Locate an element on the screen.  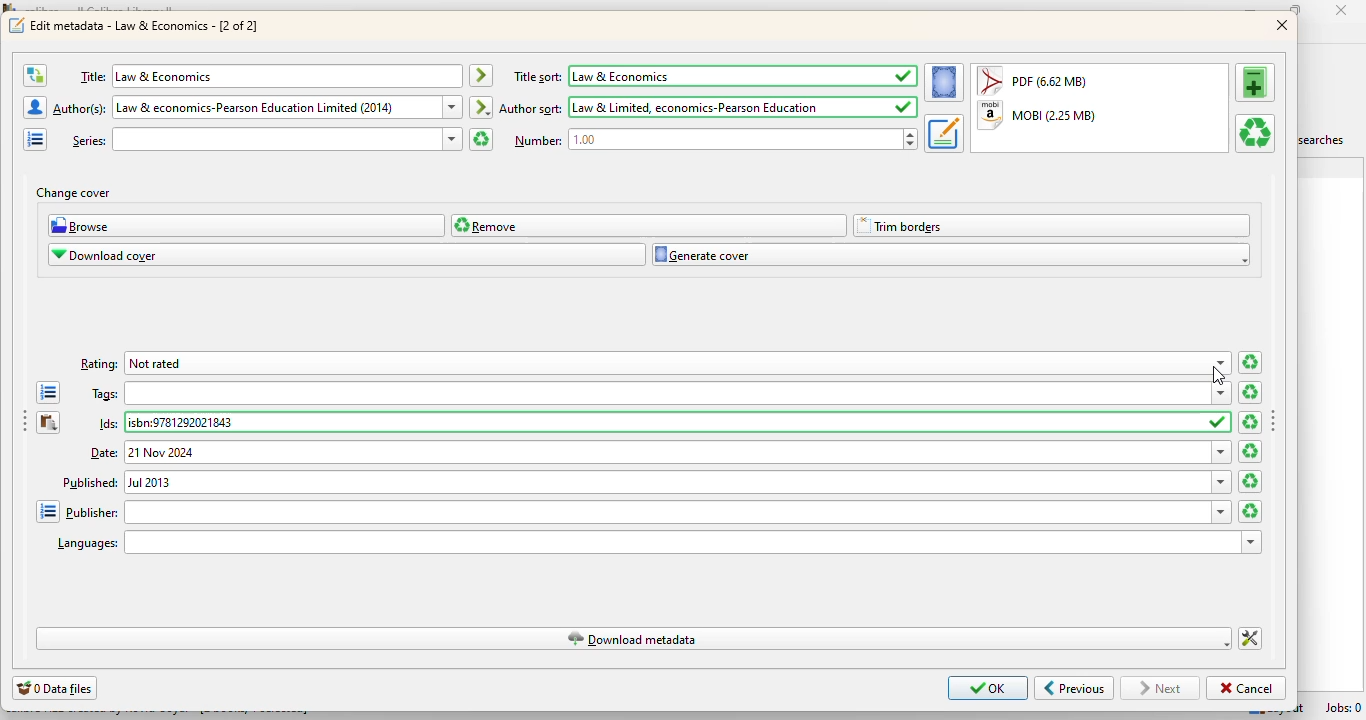
previous is located at coordinates (1074, 689).